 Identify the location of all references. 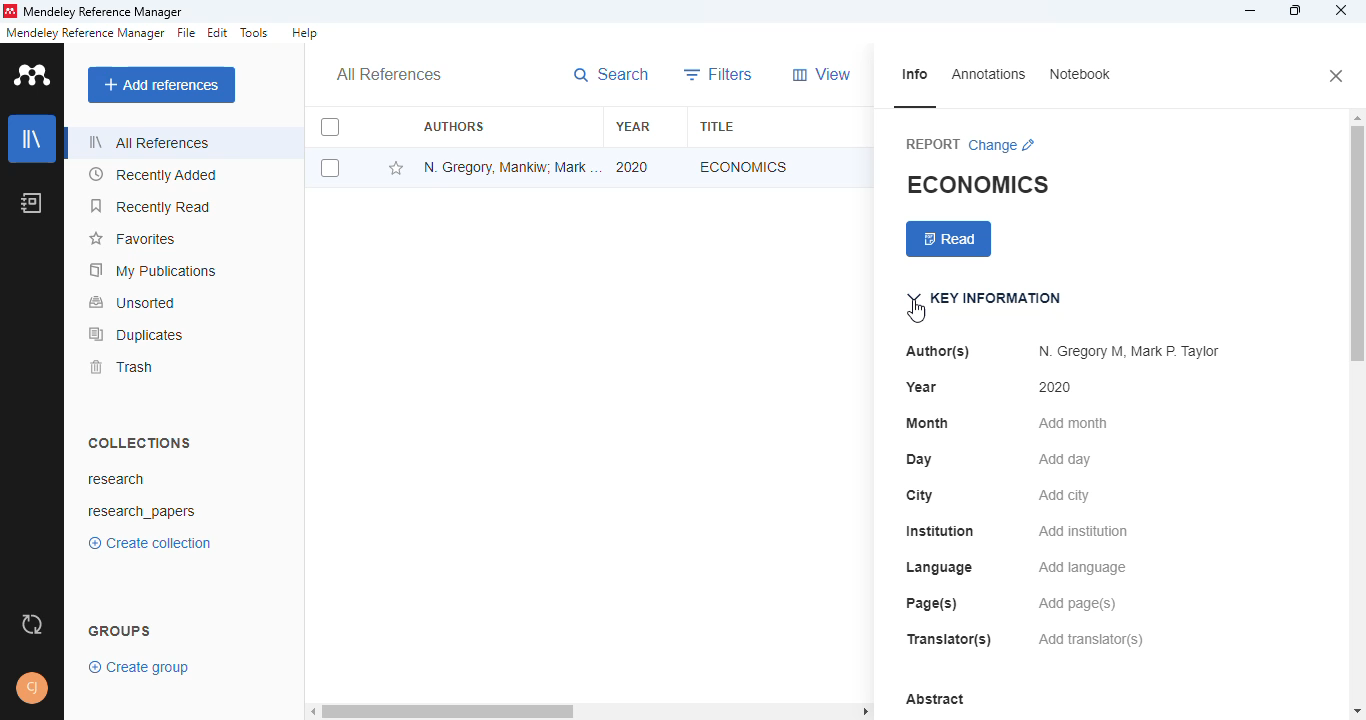
(388, 74).